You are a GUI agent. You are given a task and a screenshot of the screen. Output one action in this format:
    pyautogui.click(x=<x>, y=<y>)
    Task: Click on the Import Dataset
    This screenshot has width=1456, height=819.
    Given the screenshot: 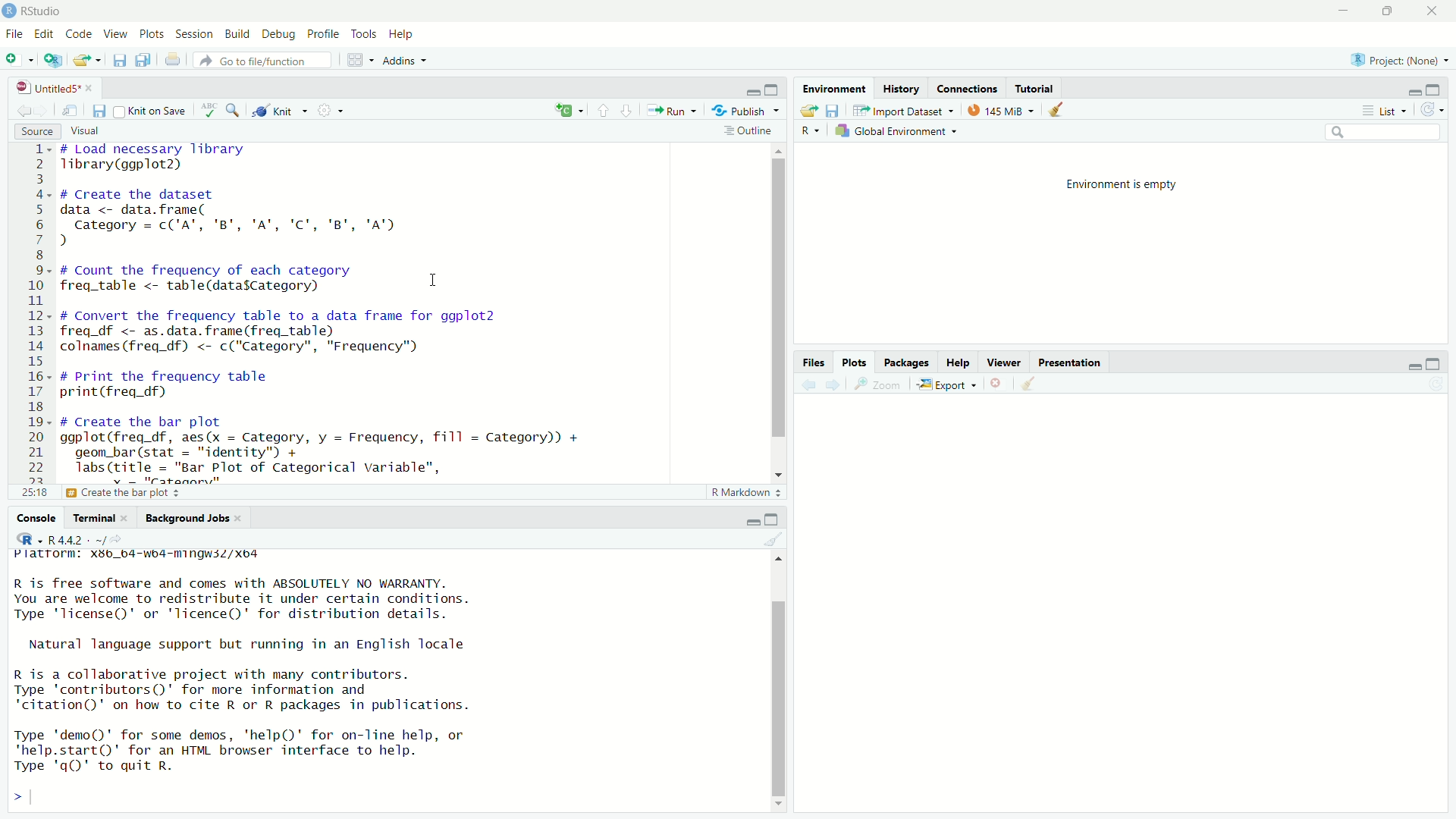 What is the action you would take?
    pyautogui.click(x=900, y=111)
    